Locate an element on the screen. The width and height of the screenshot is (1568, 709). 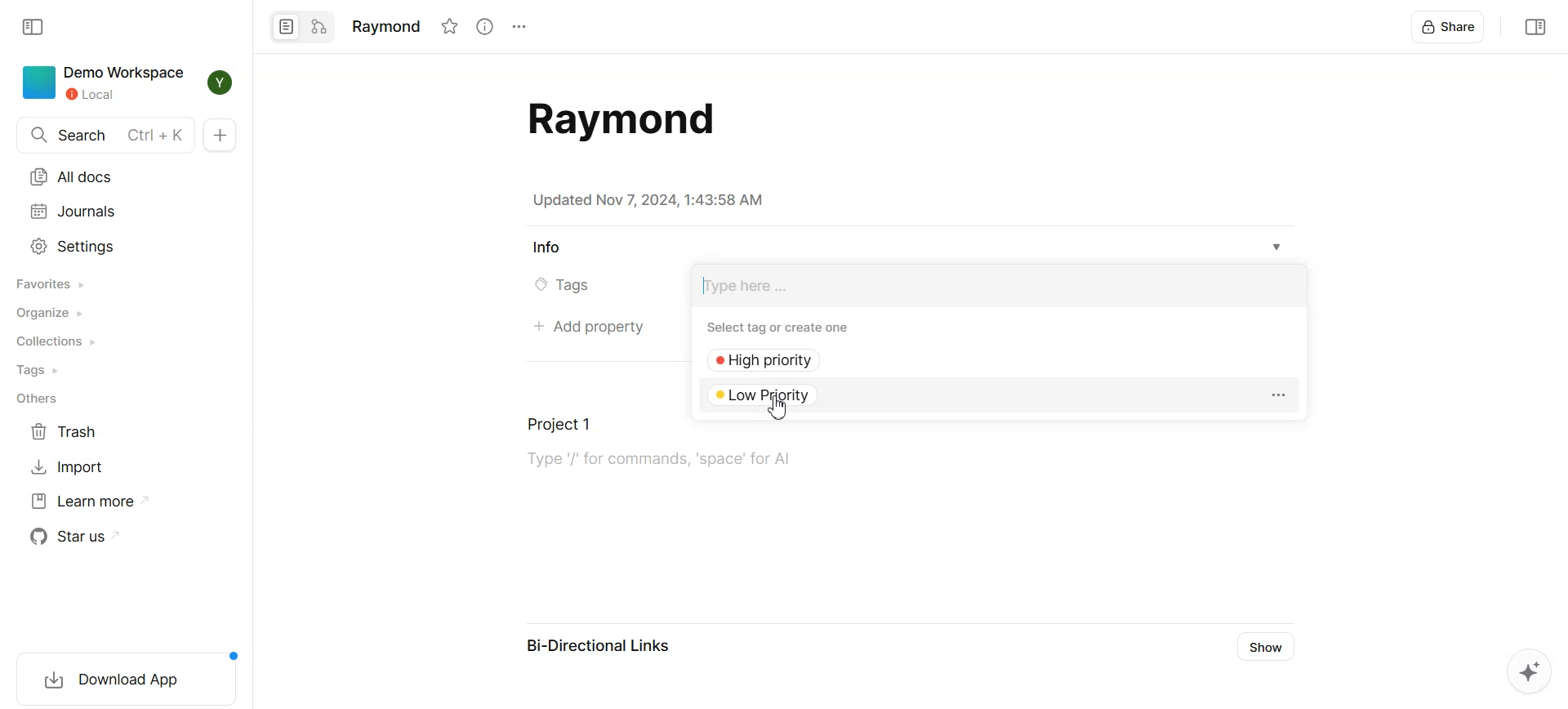
text cursor is located at coordinates (705, 284).